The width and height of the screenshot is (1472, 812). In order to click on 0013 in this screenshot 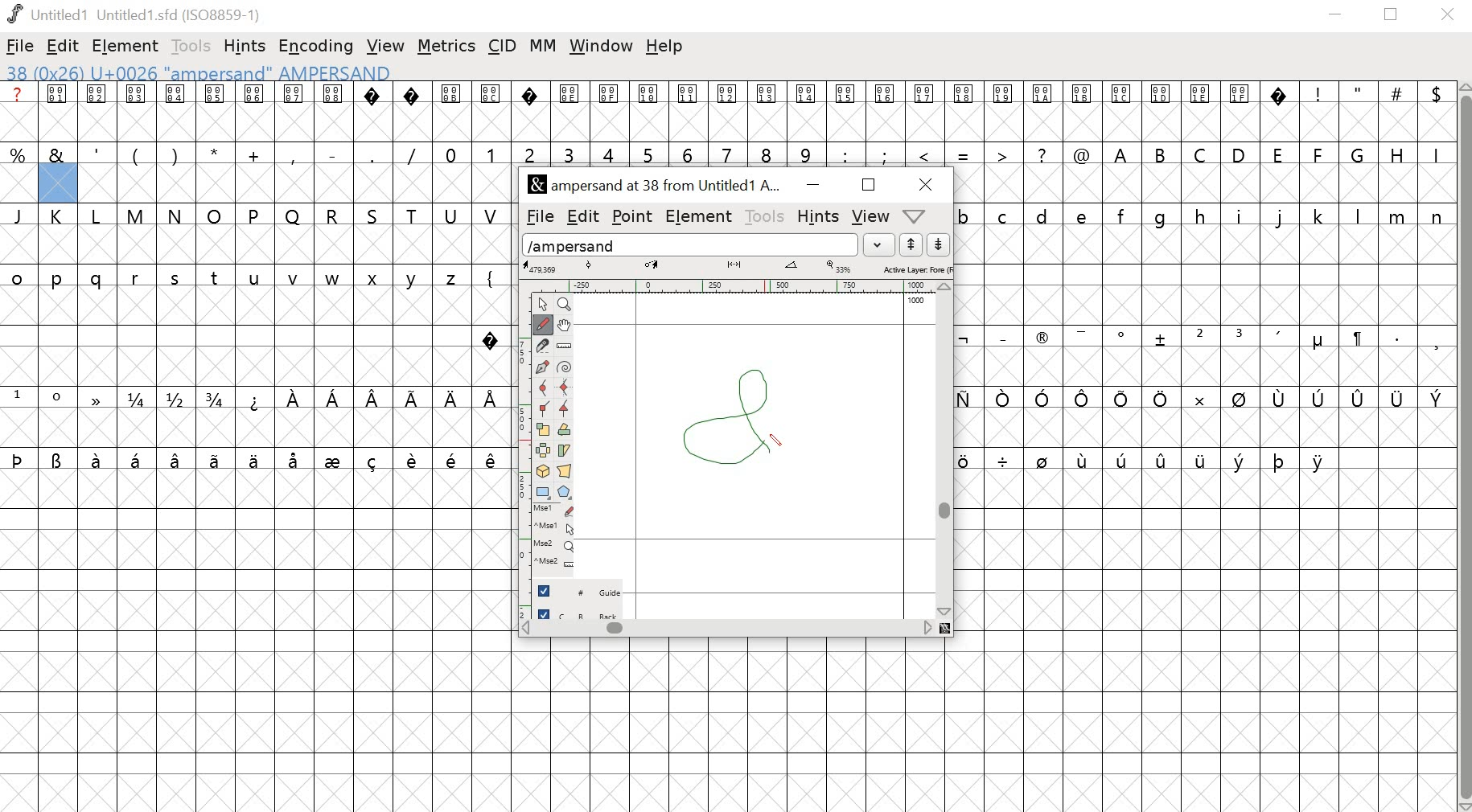, I will do `click(769, 112)`.